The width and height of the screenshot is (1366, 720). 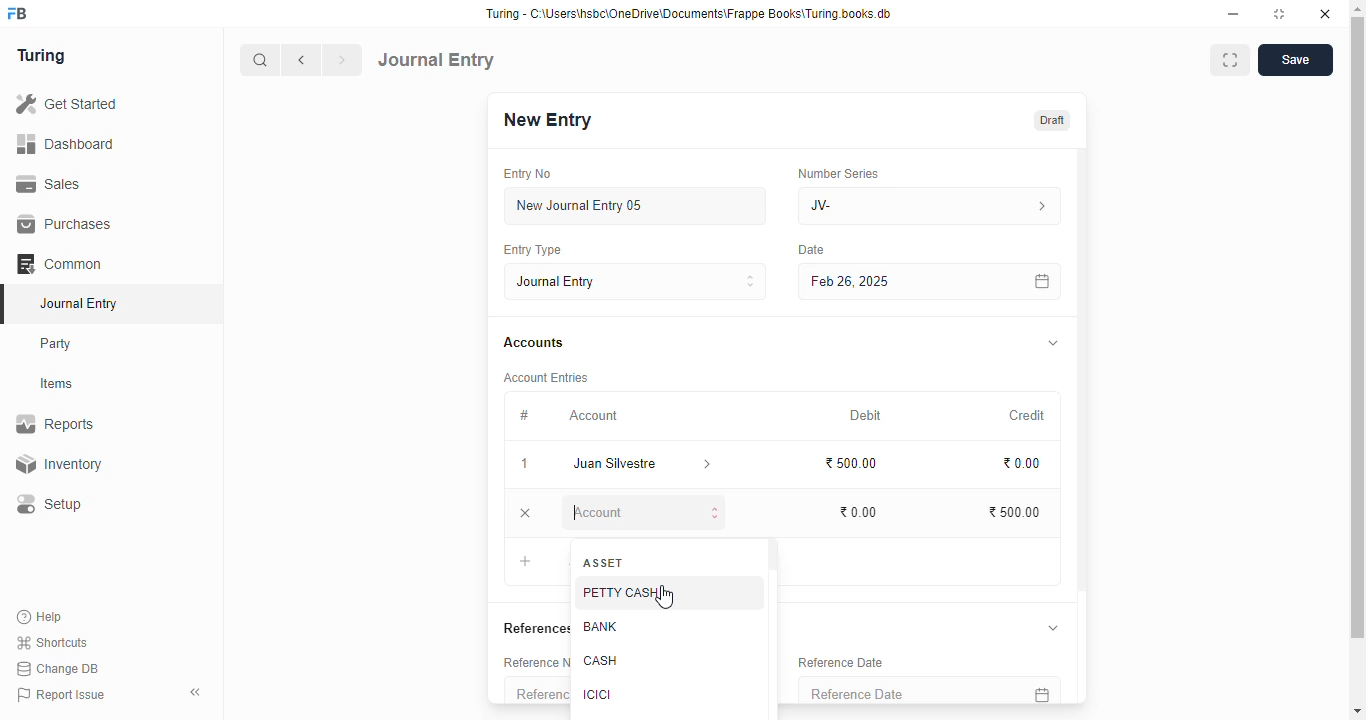 I want to click on ₹0.00, so click(x=1022, y=463).